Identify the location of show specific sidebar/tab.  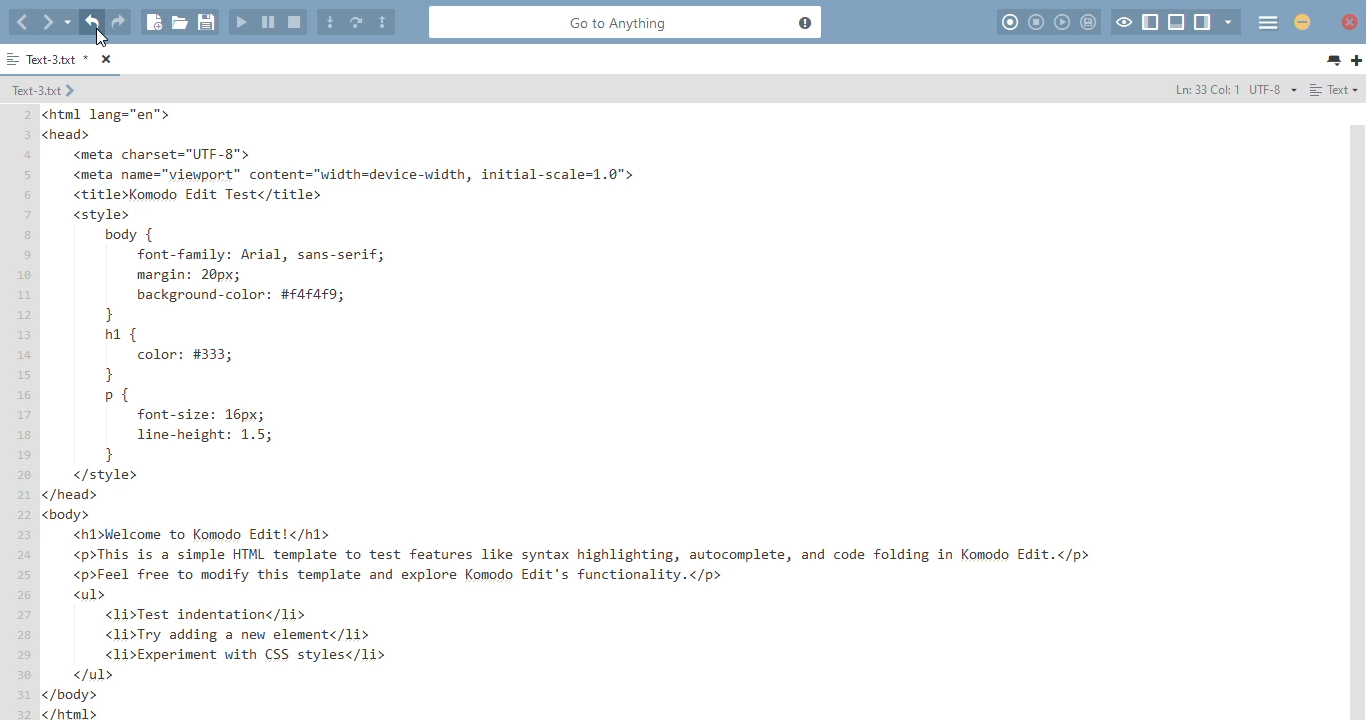
(1229, 22).